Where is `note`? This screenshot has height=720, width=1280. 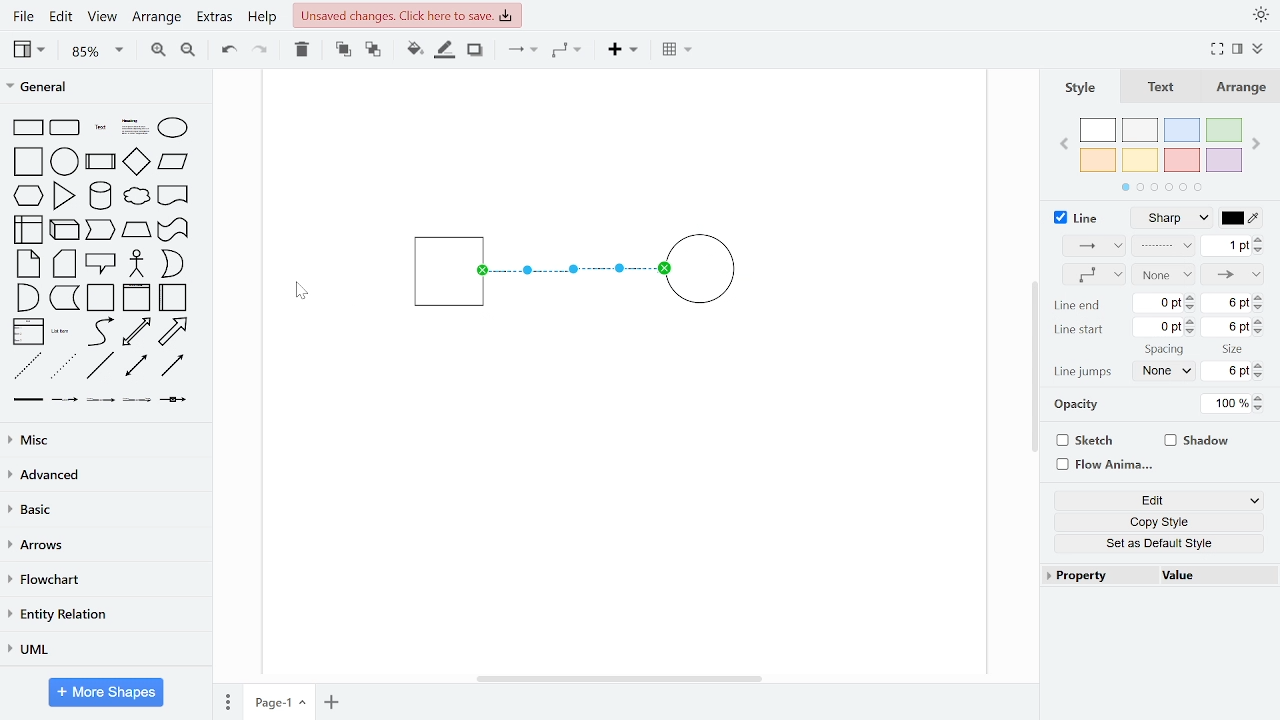 note is located at coordinates (30, 263).